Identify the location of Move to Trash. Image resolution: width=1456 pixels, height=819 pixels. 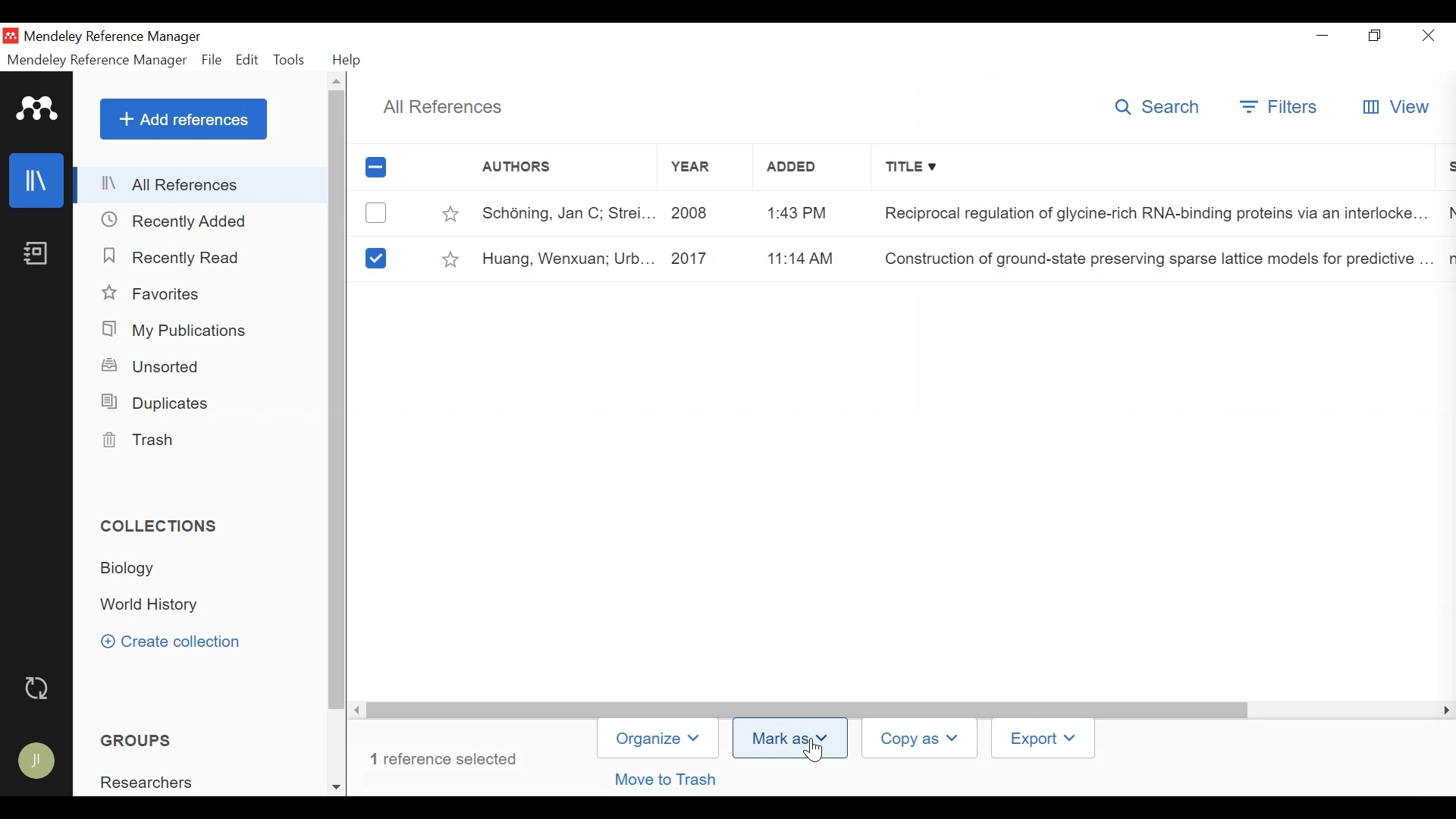
(668, 779).